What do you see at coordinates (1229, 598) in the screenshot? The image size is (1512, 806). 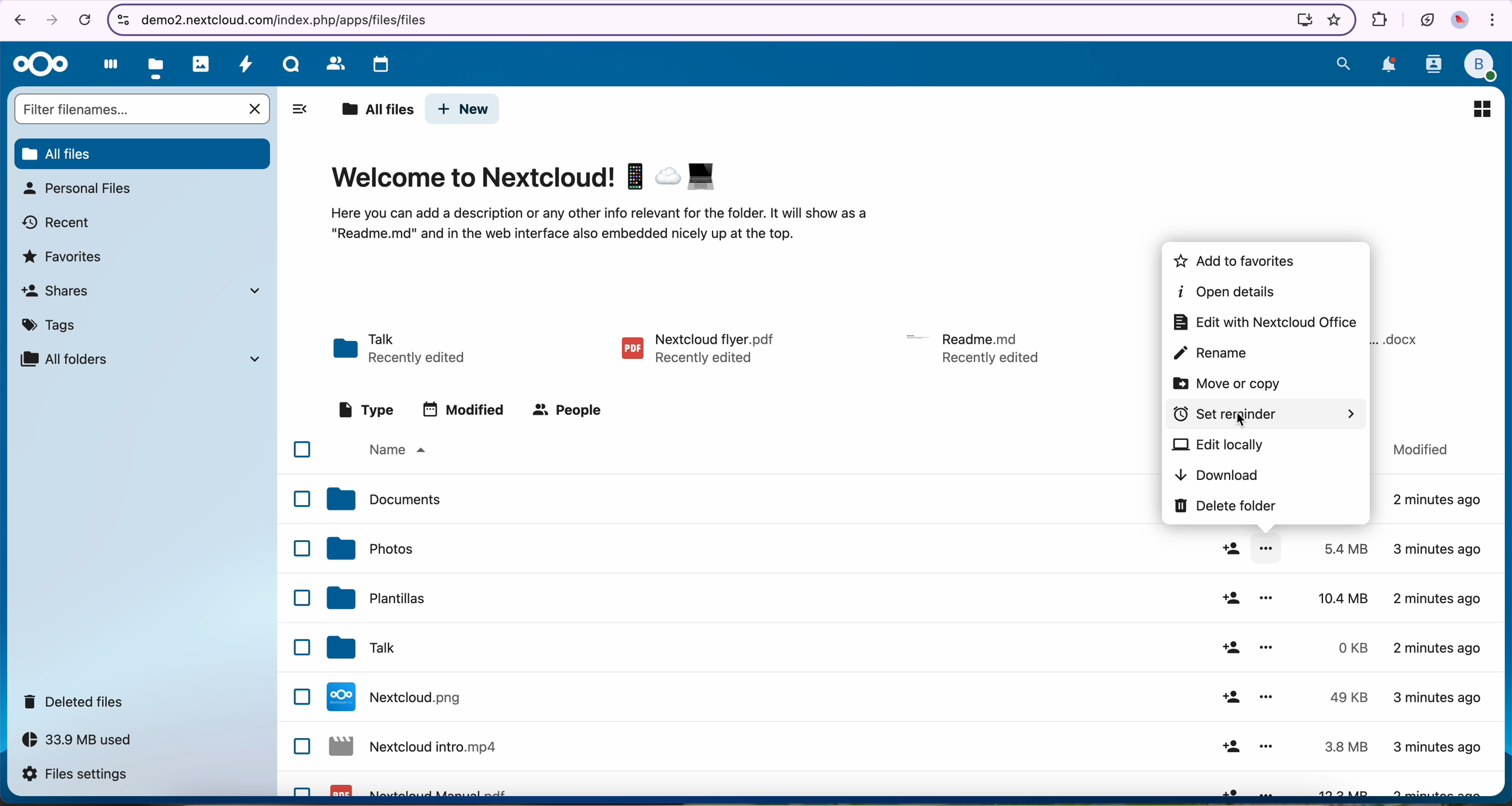 I see `share` at bounding box center [1229, 598].